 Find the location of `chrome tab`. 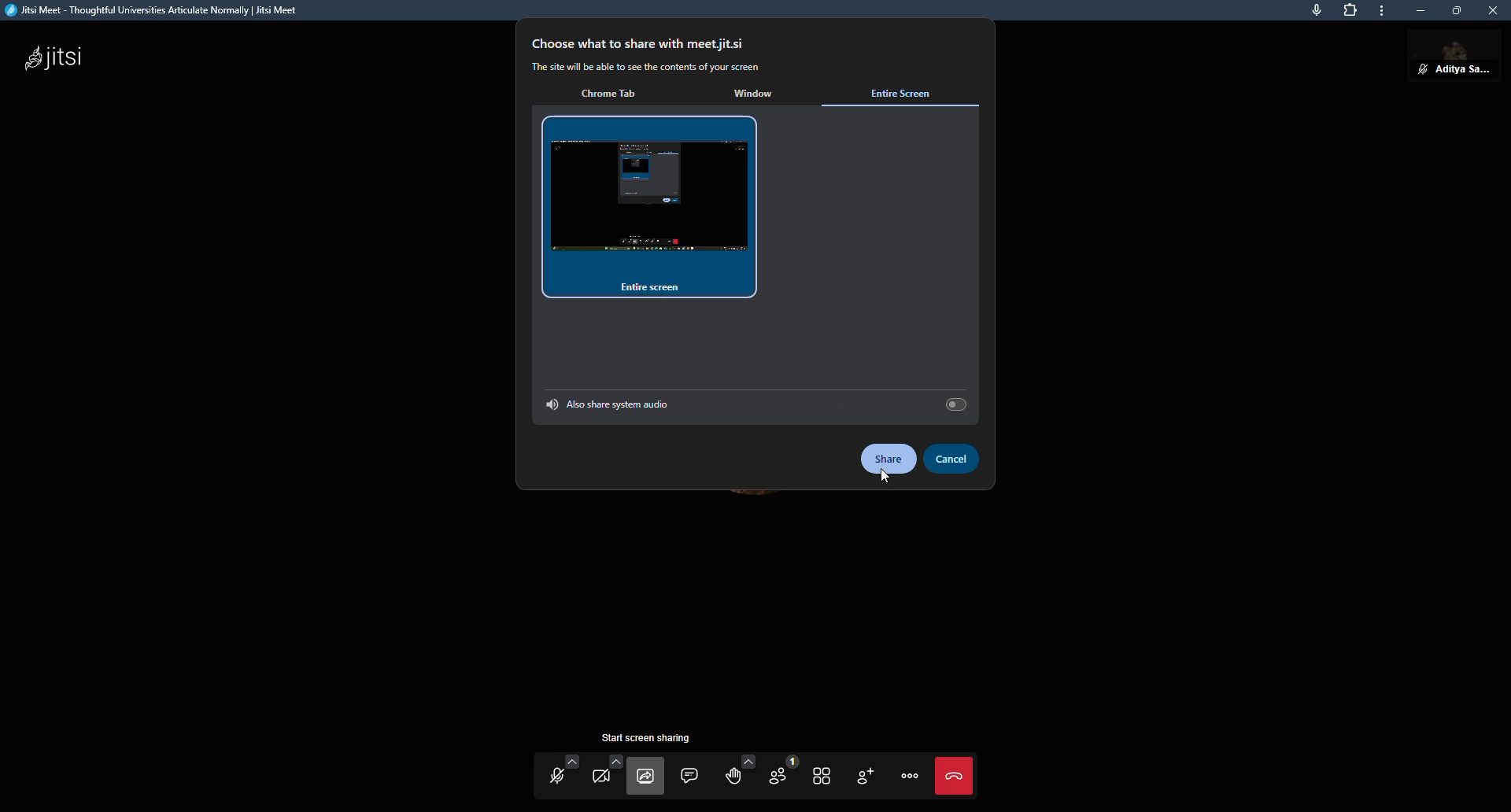

chrome tab is located at coordinates (615, 94).